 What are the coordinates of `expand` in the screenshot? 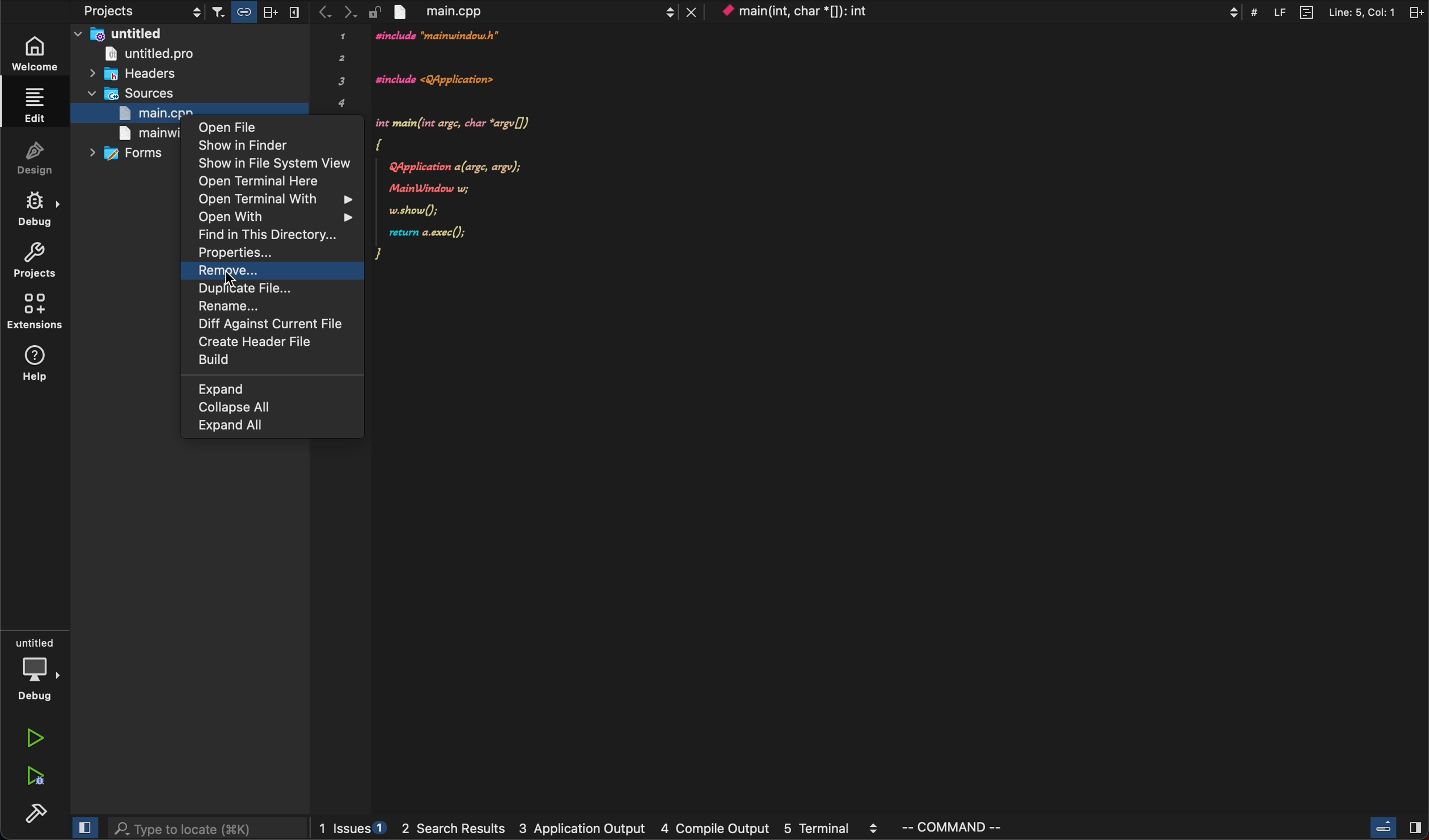 It's located at (230, 389).